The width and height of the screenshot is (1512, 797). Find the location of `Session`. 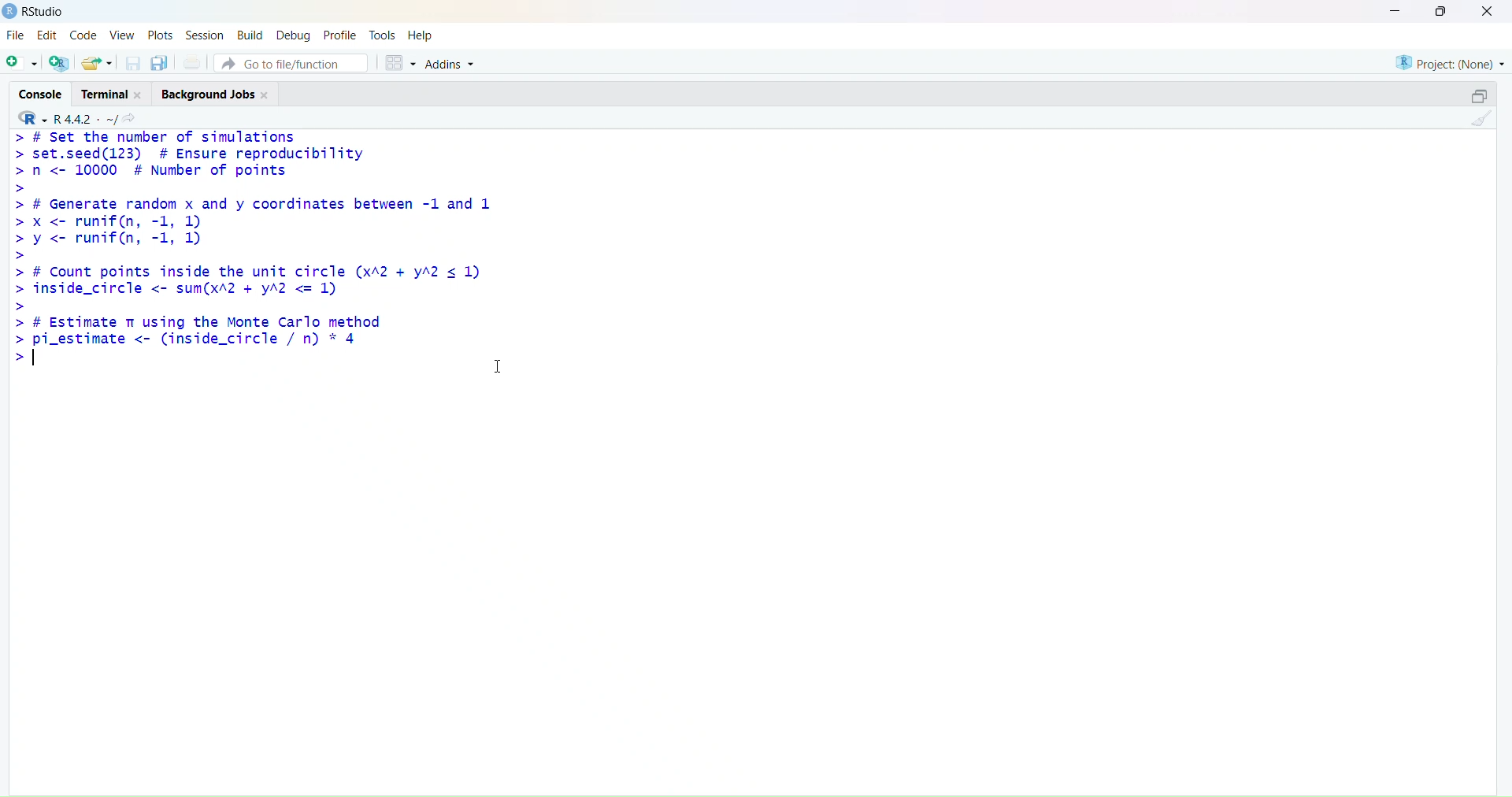

Session is located at coordinates (203, 34).